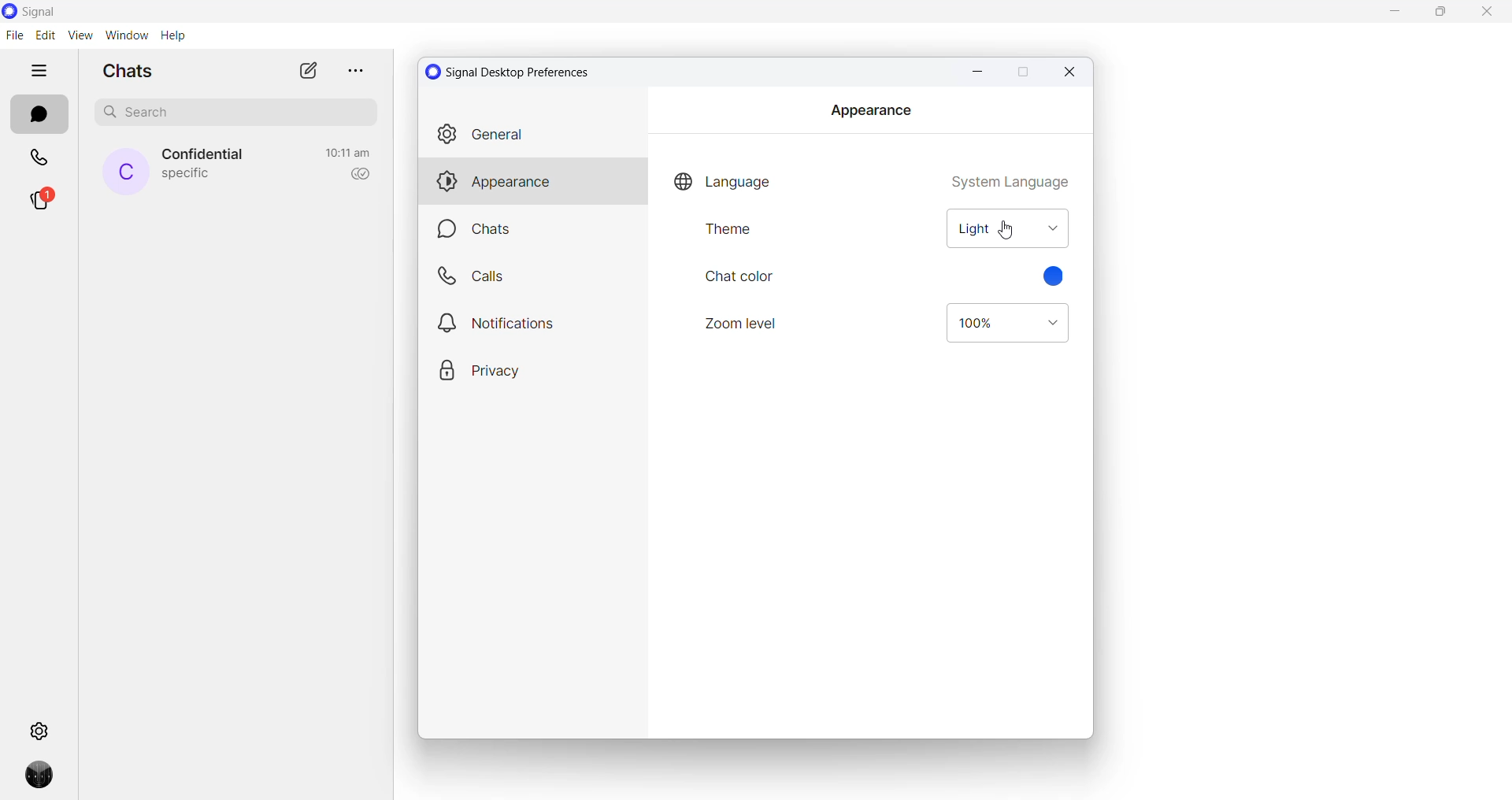 The image size is (1512, 800). I want to click on zoom level, so click(744, 324).